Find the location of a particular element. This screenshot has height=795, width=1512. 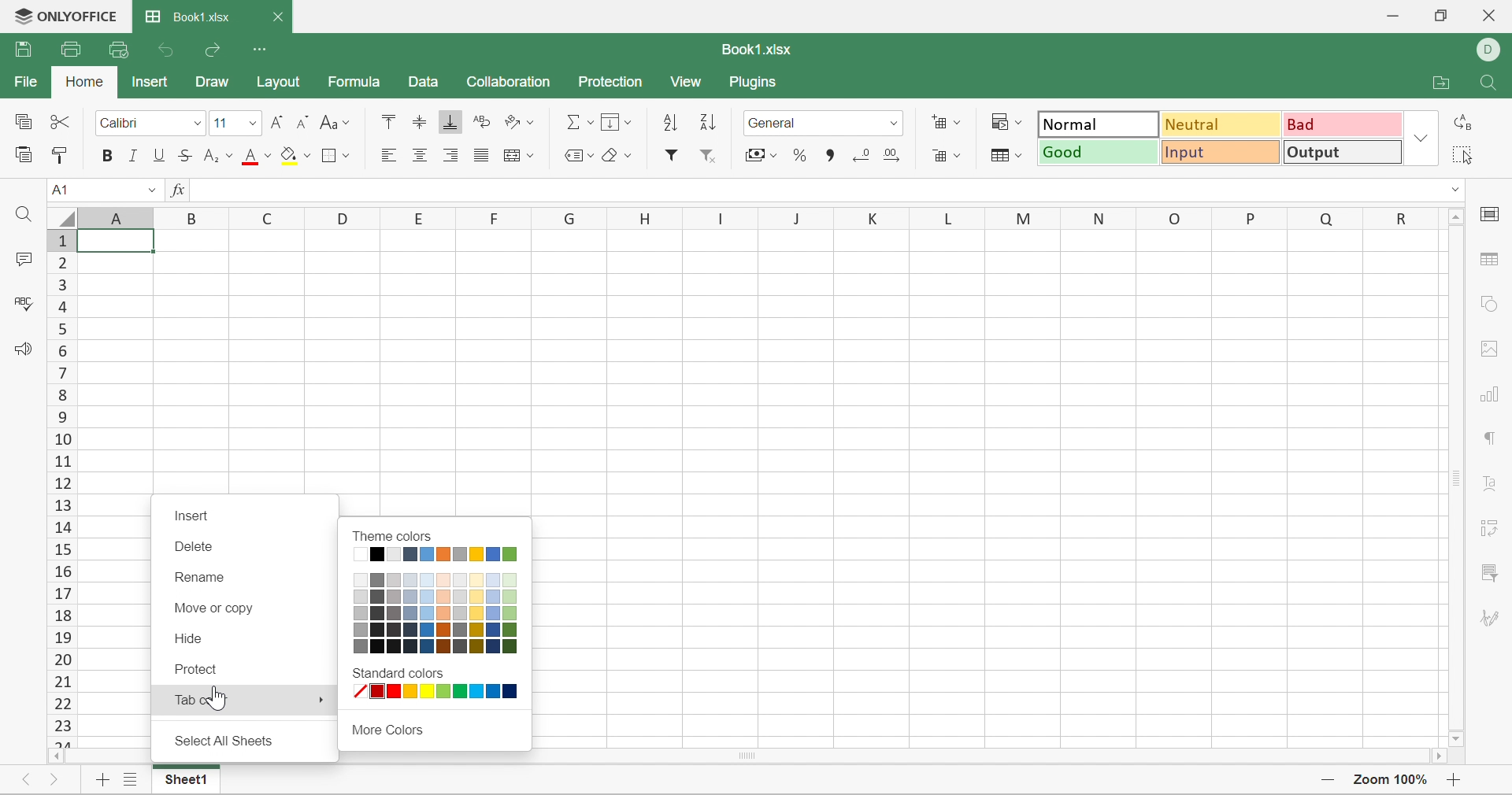

Redo is located at coordinates (215, 54).